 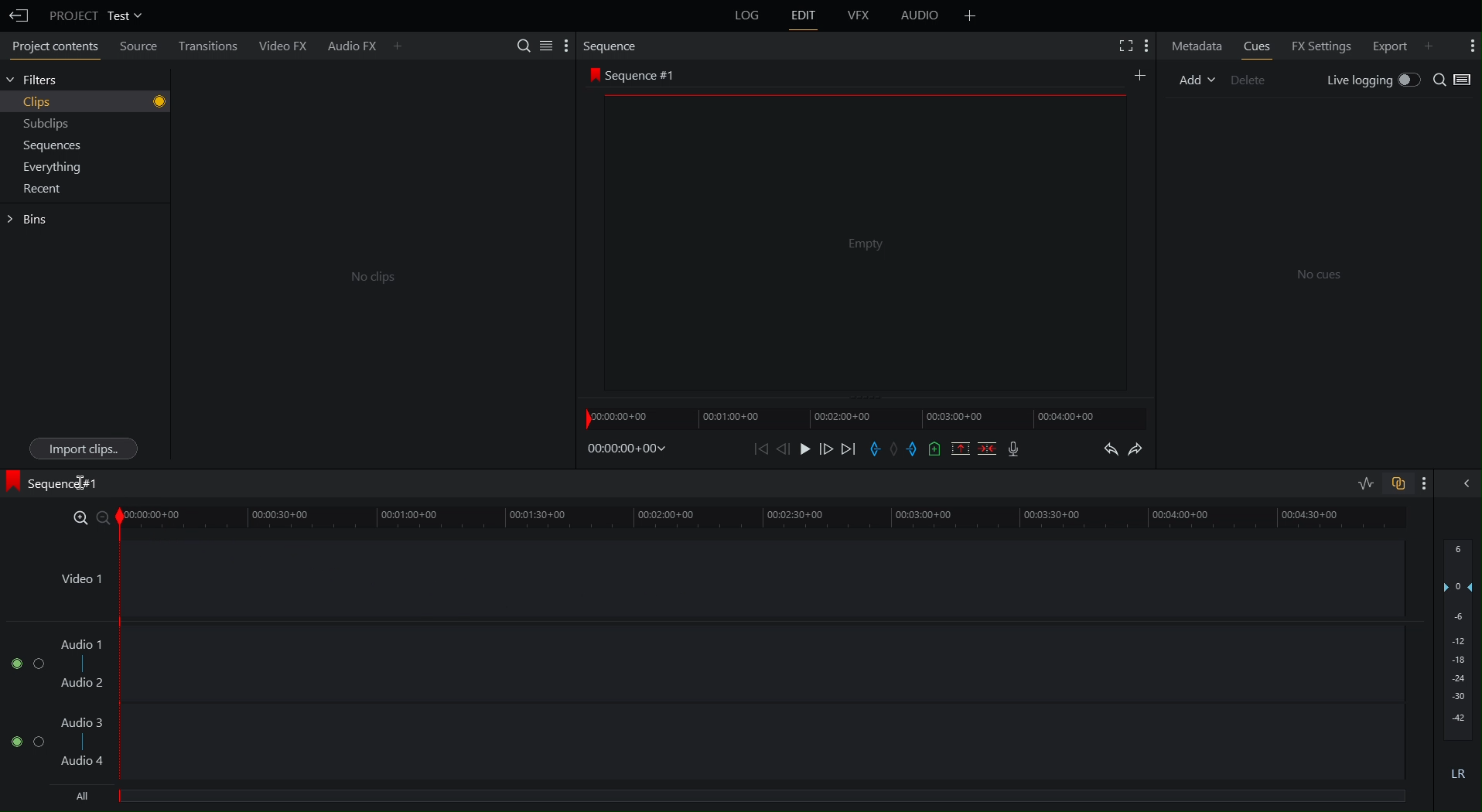 I want to click on Skip Forward, so click(x=851, y=448).